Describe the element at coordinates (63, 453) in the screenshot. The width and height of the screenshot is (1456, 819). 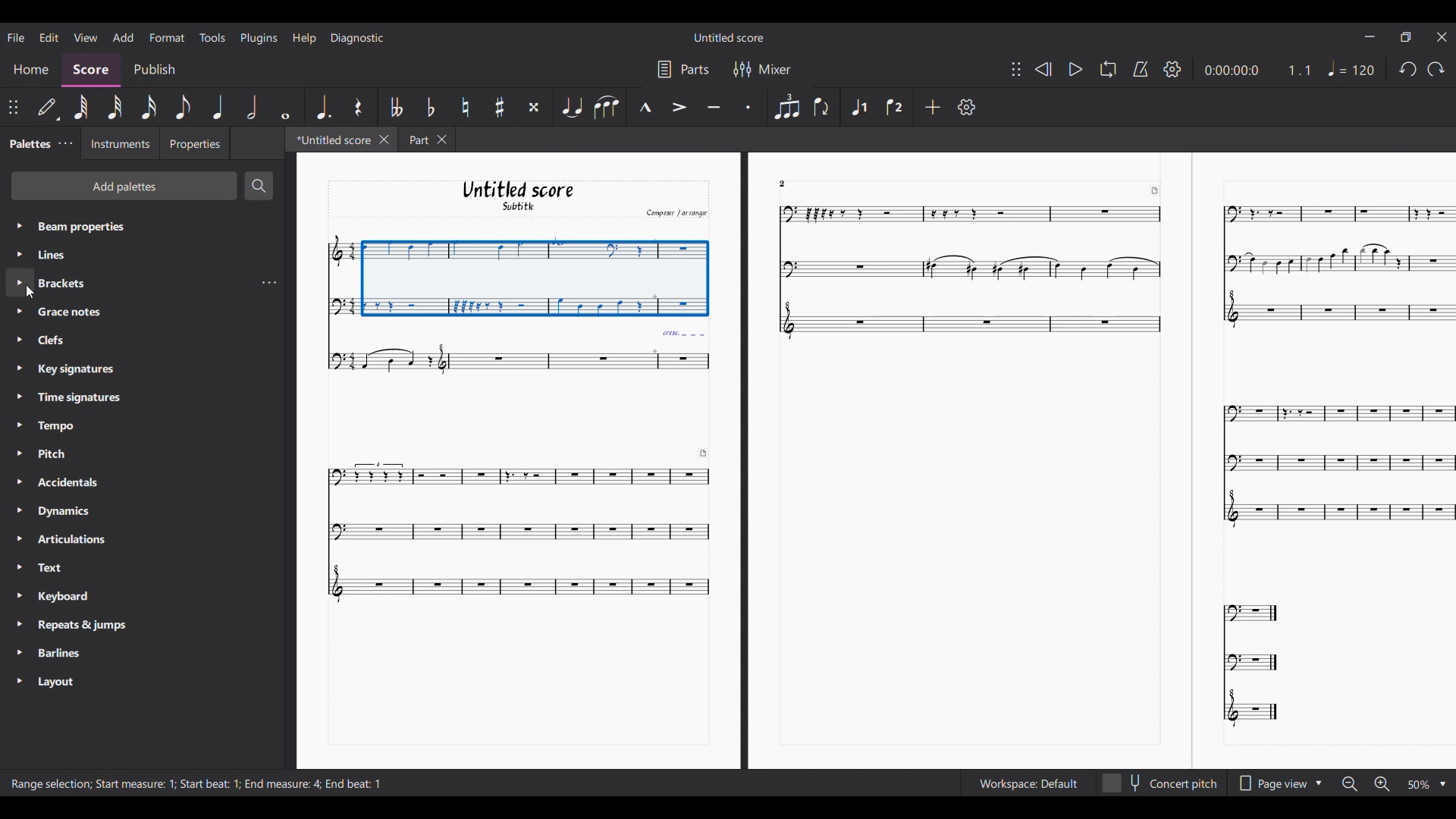
I see `Pitch` at that location.